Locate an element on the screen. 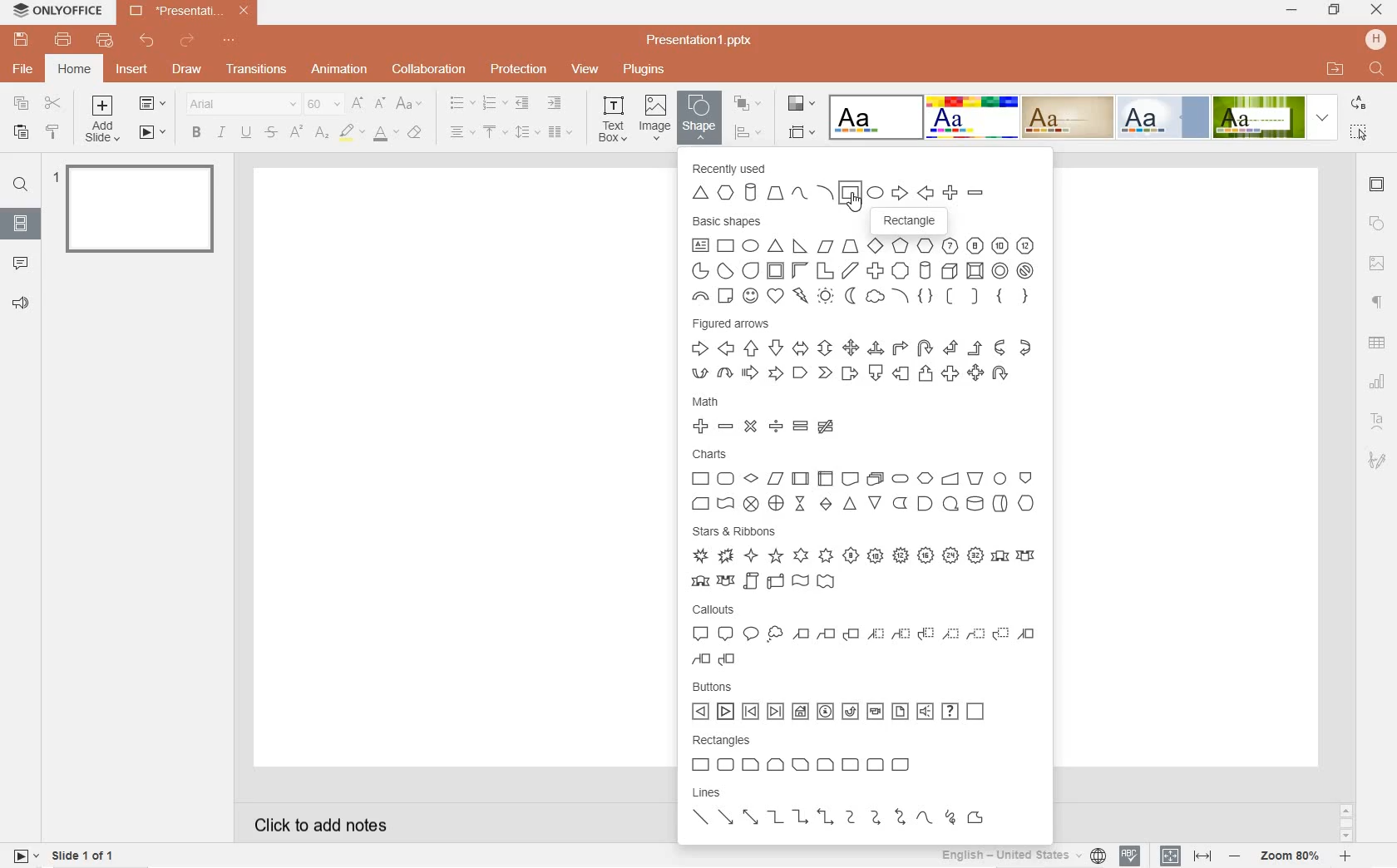 The width and height of the screenshot is (1397, 868). Round single corner rectangle is located at coordinates (851, 765).